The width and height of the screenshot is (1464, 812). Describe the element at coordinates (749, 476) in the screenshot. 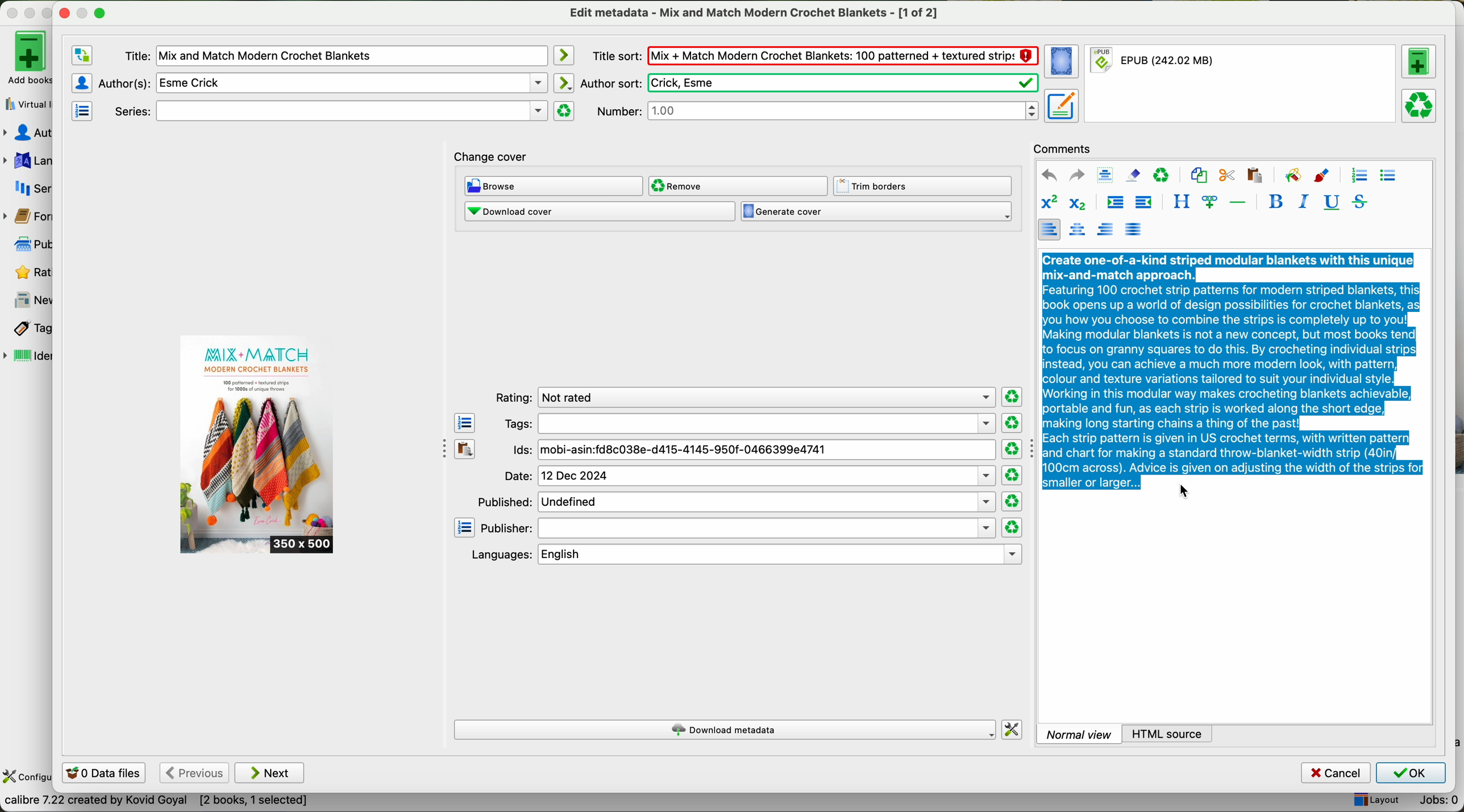

I see `date` at that location.